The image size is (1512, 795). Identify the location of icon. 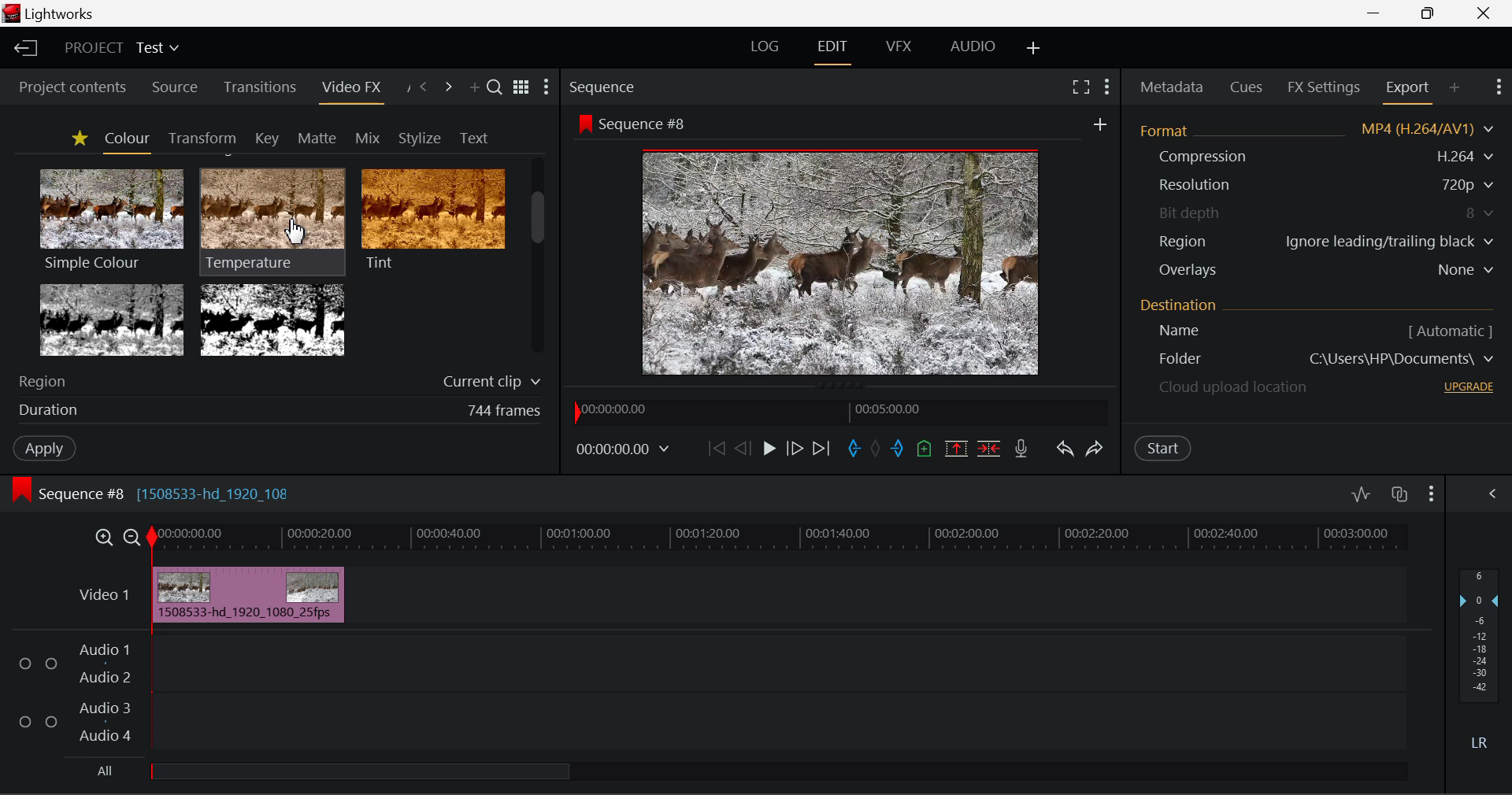
(22, 490).